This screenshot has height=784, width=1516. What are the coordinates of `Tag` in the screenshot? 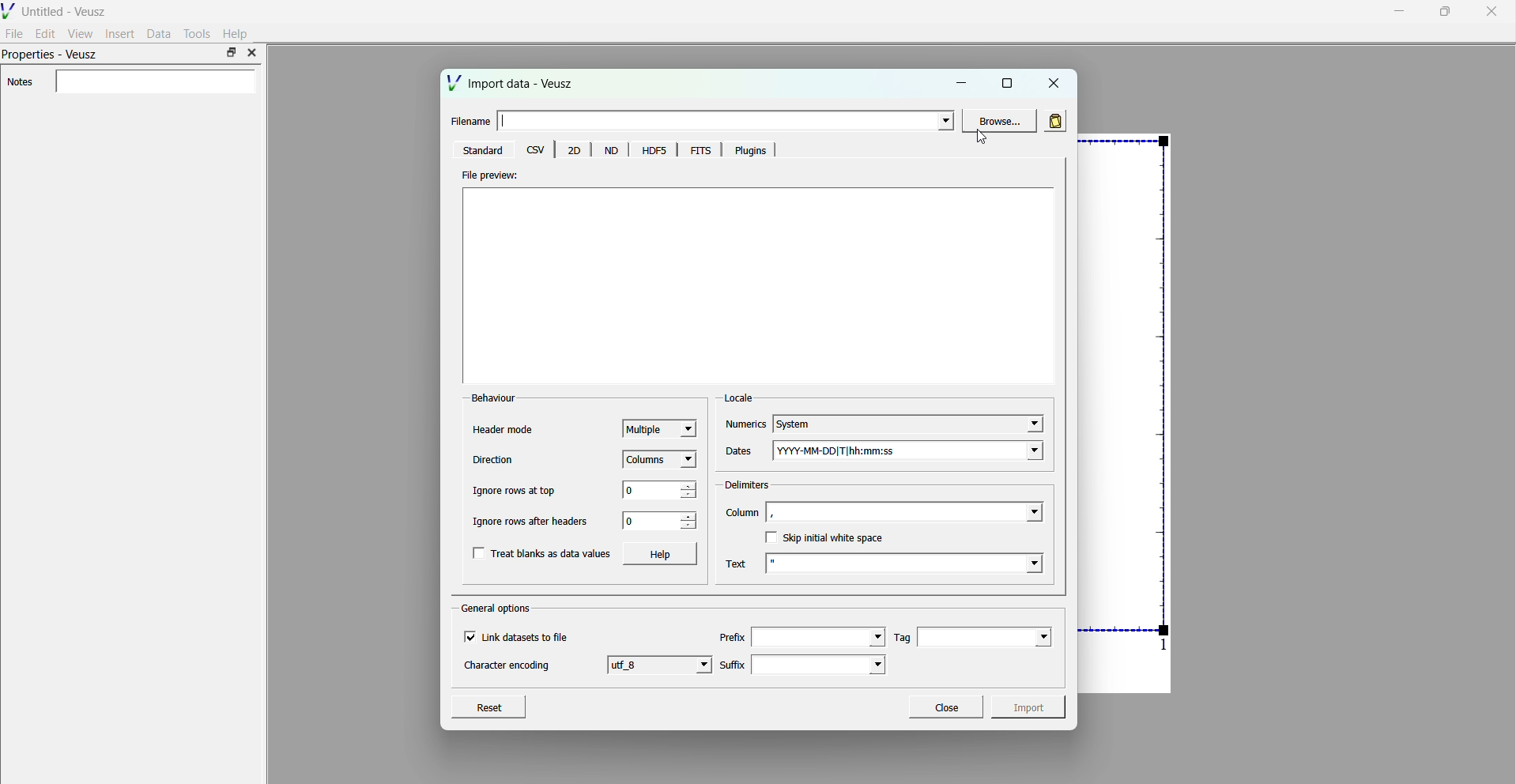 It's located at (903, 637).